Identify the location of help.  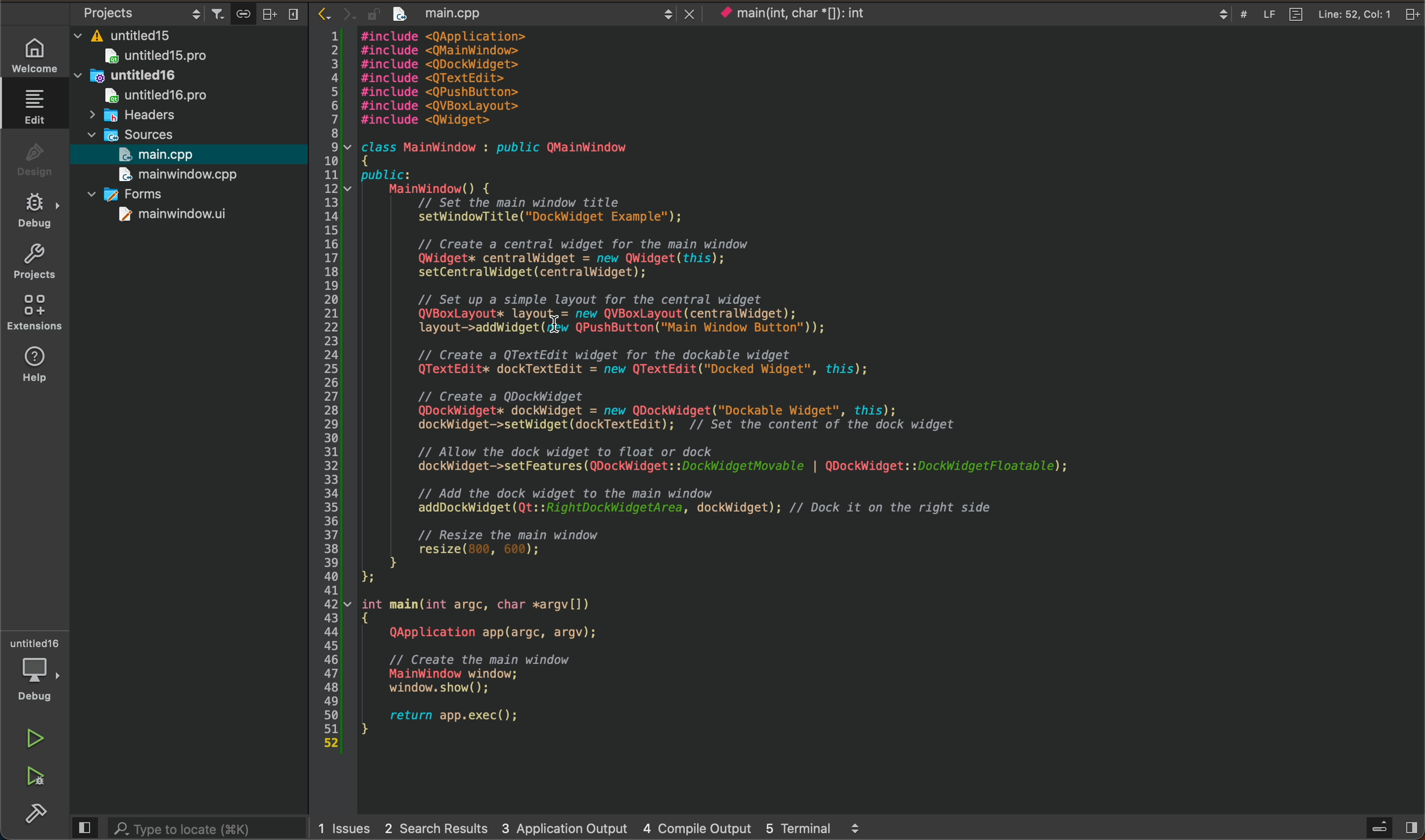
(33, 369).